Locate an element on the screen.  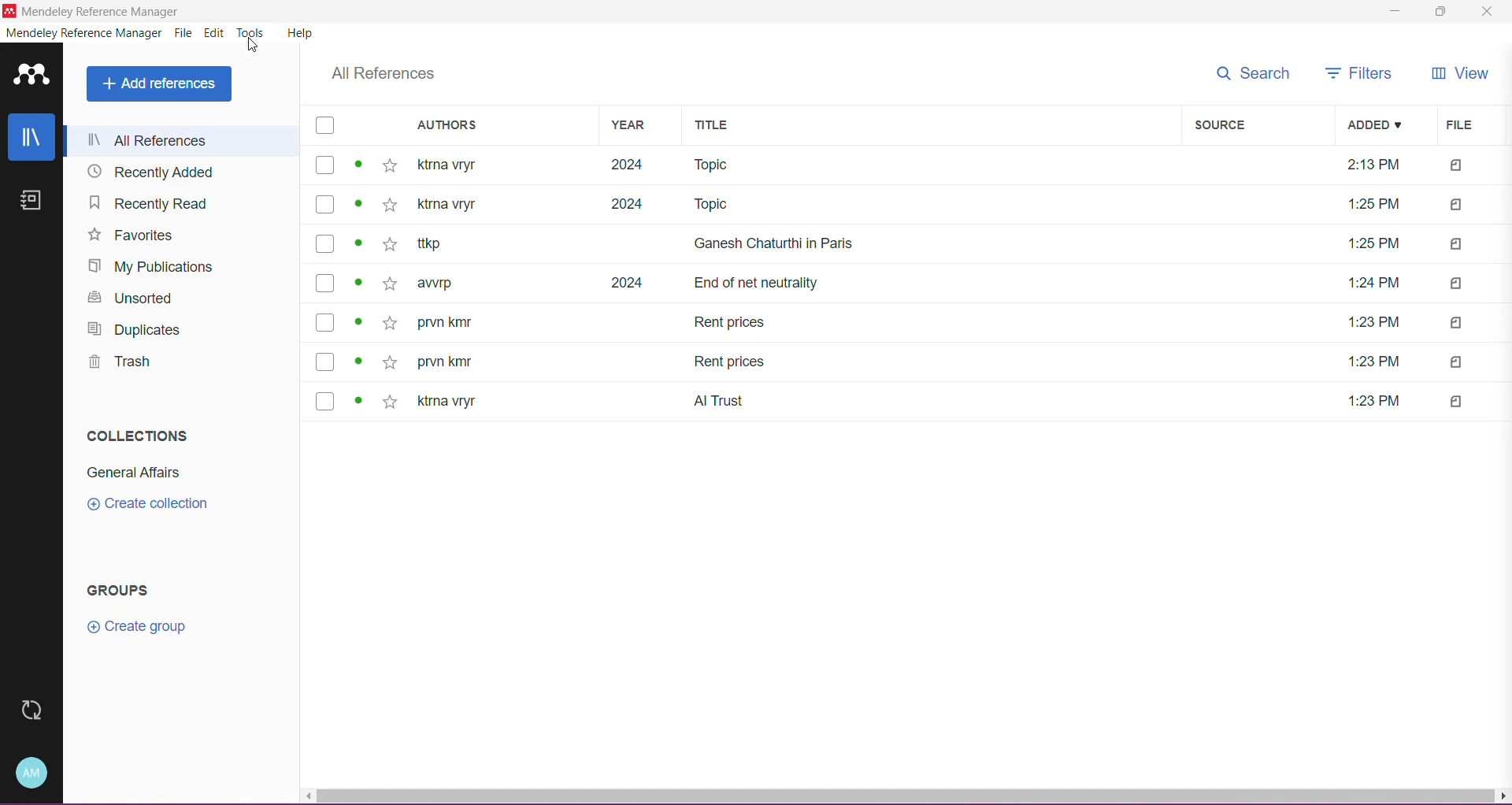
Year is located at coordinates (638, 127).